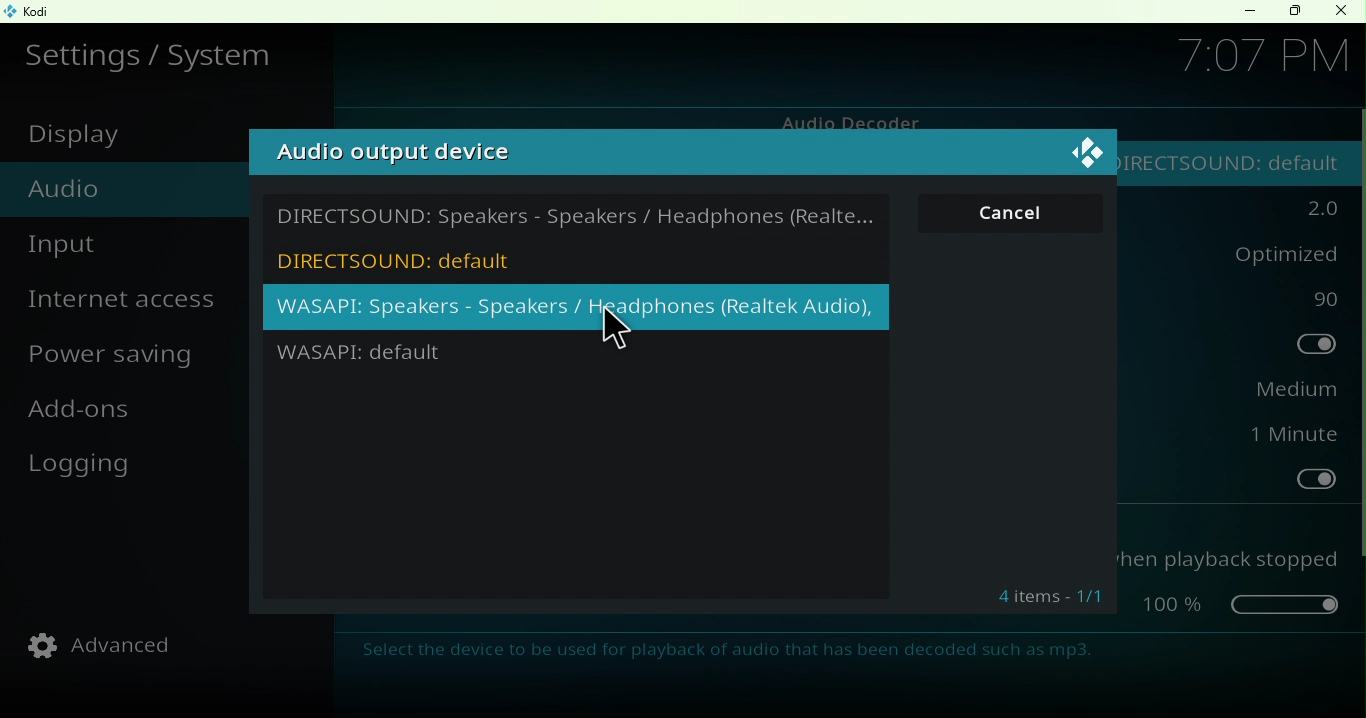  Describe the element at coordinates (1277, 390) in the screenshot. I see `Medium` at that location.